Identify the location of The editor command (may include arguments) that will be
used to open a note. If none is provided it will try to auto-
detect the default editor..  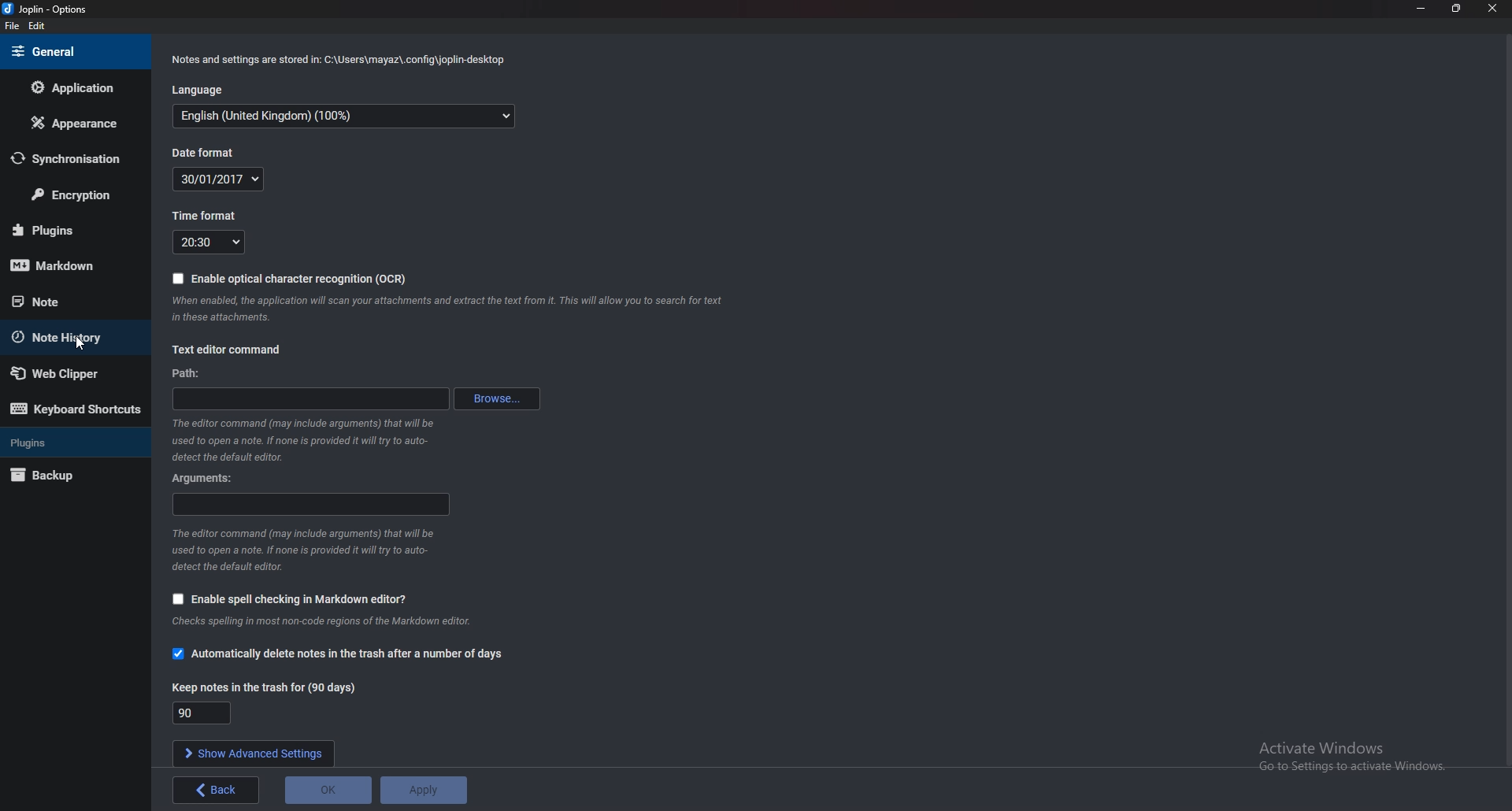
(306, 550).